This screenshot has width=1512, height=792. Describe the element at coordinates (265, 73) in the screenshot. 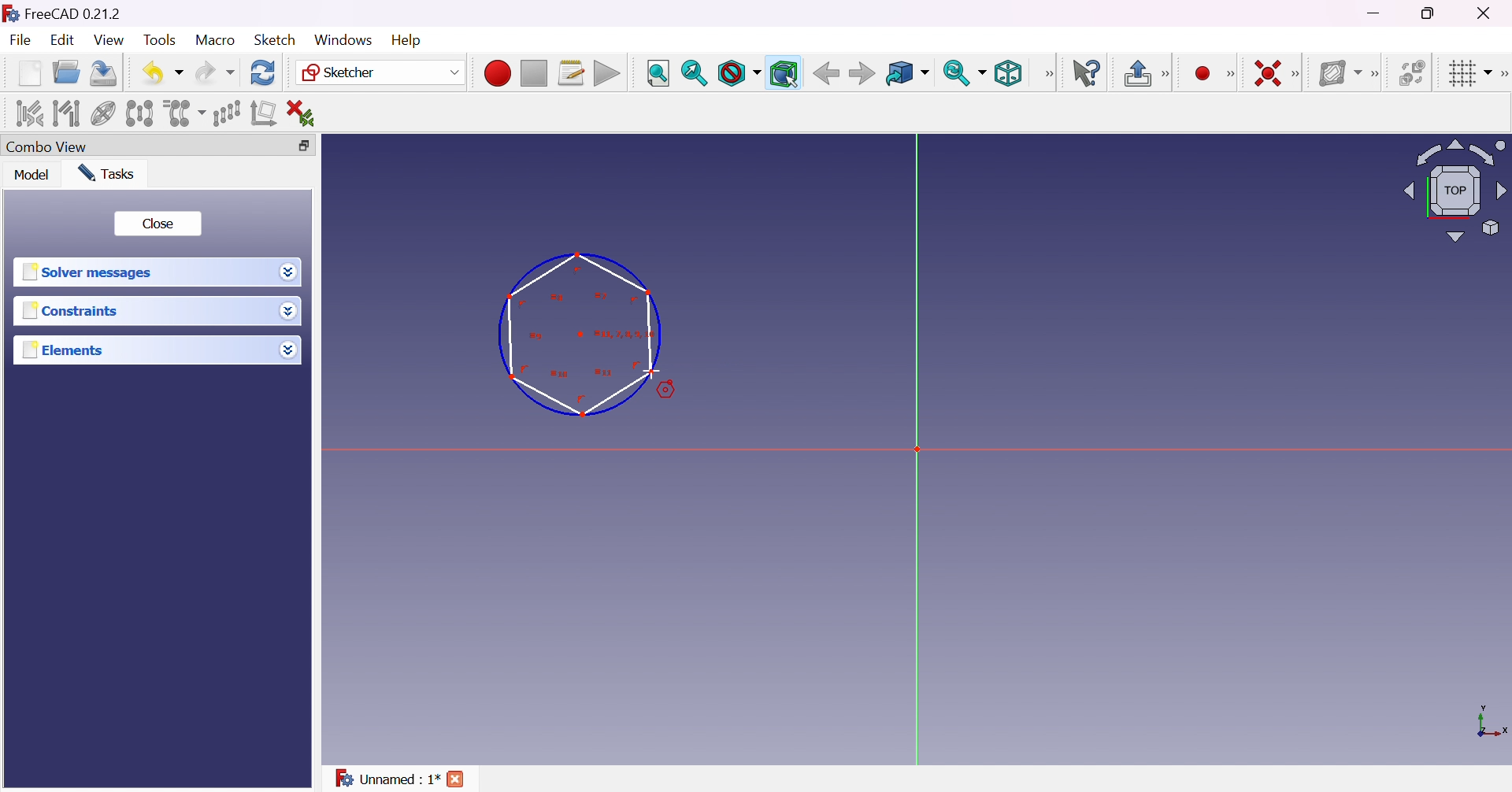

I see `Refresh` at that location.